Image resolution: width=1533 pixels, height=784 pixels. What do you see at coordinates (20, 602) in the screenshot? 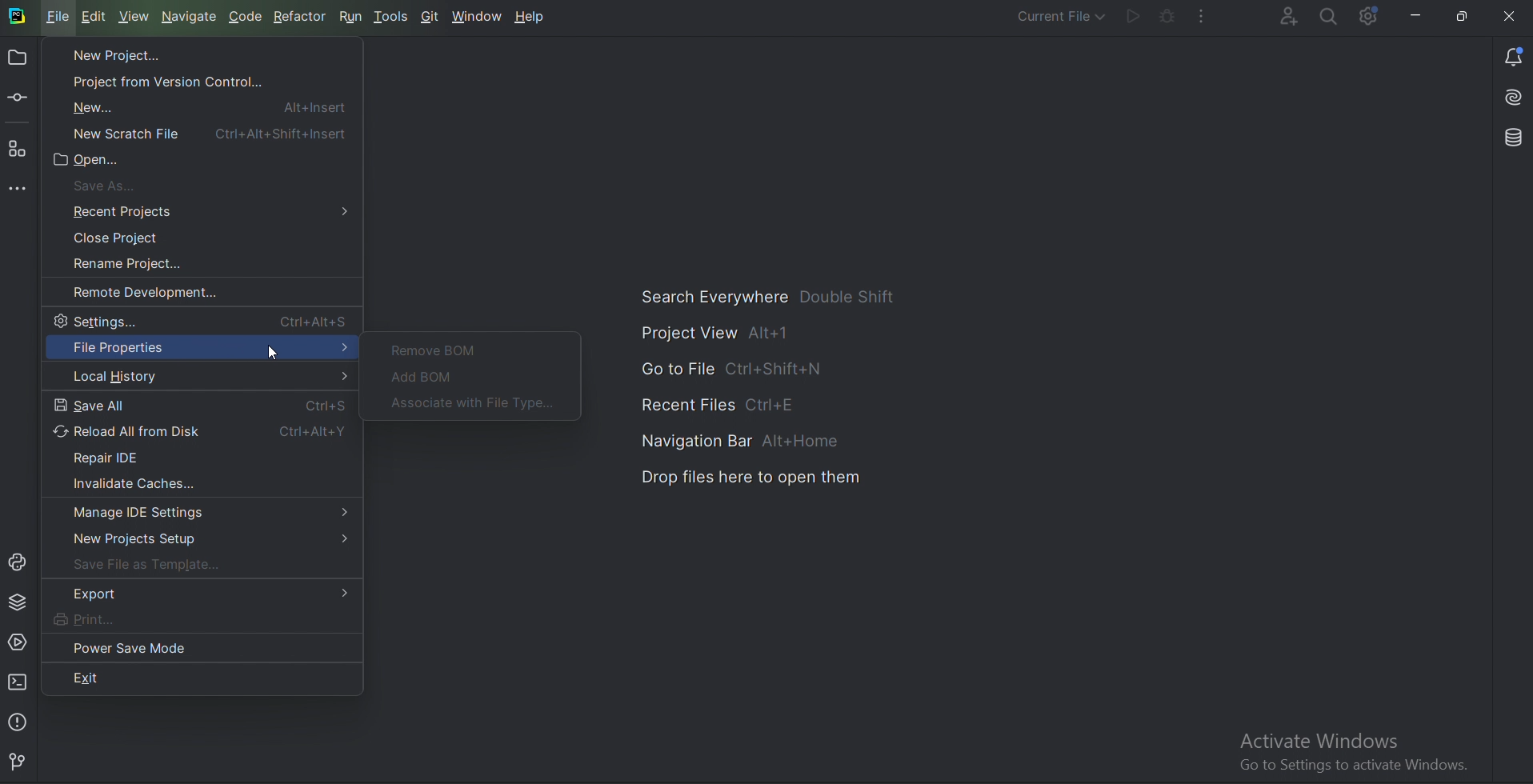
I see `Python package` at bounding box center [20, 602].